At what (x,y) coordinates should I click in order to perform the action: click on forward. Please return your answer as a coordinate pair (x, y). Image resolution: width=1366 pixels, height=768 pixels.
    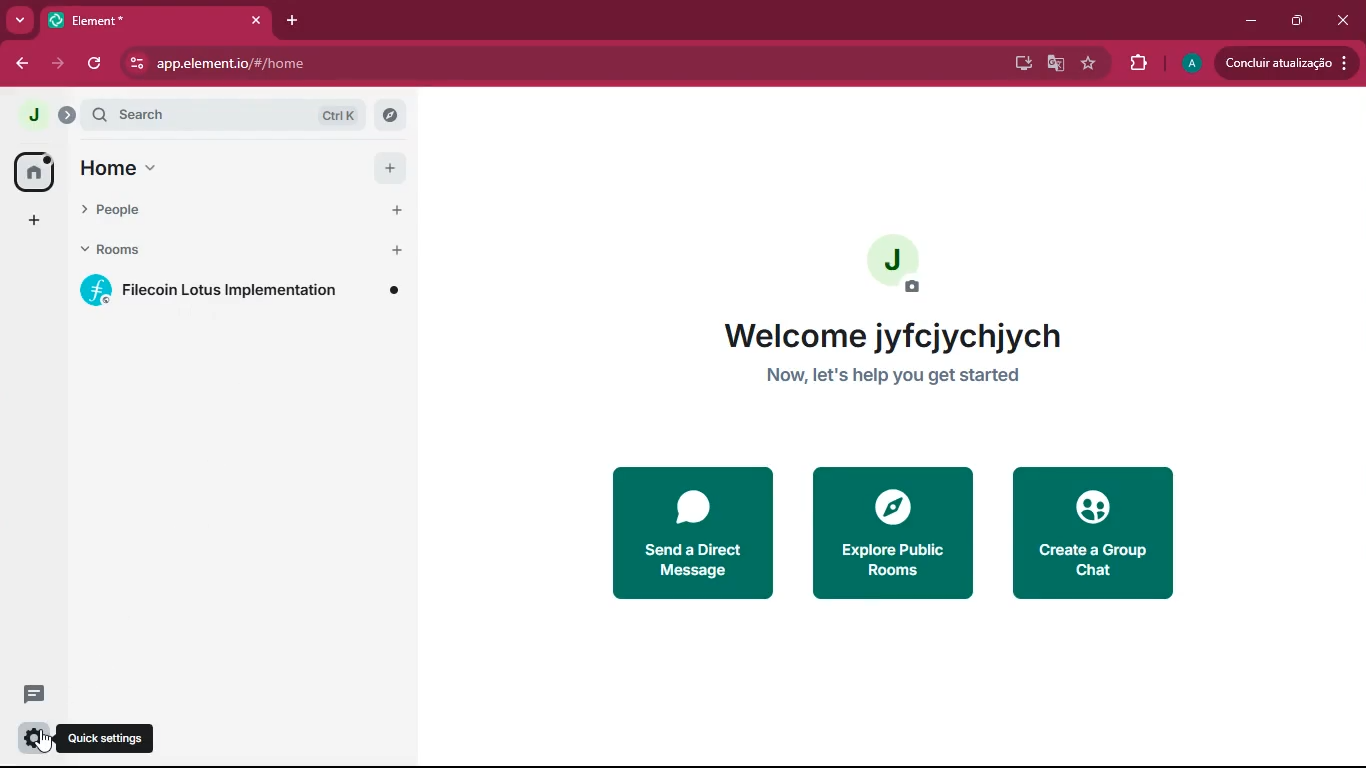
    Looking at the image, I should click on (61, 64).